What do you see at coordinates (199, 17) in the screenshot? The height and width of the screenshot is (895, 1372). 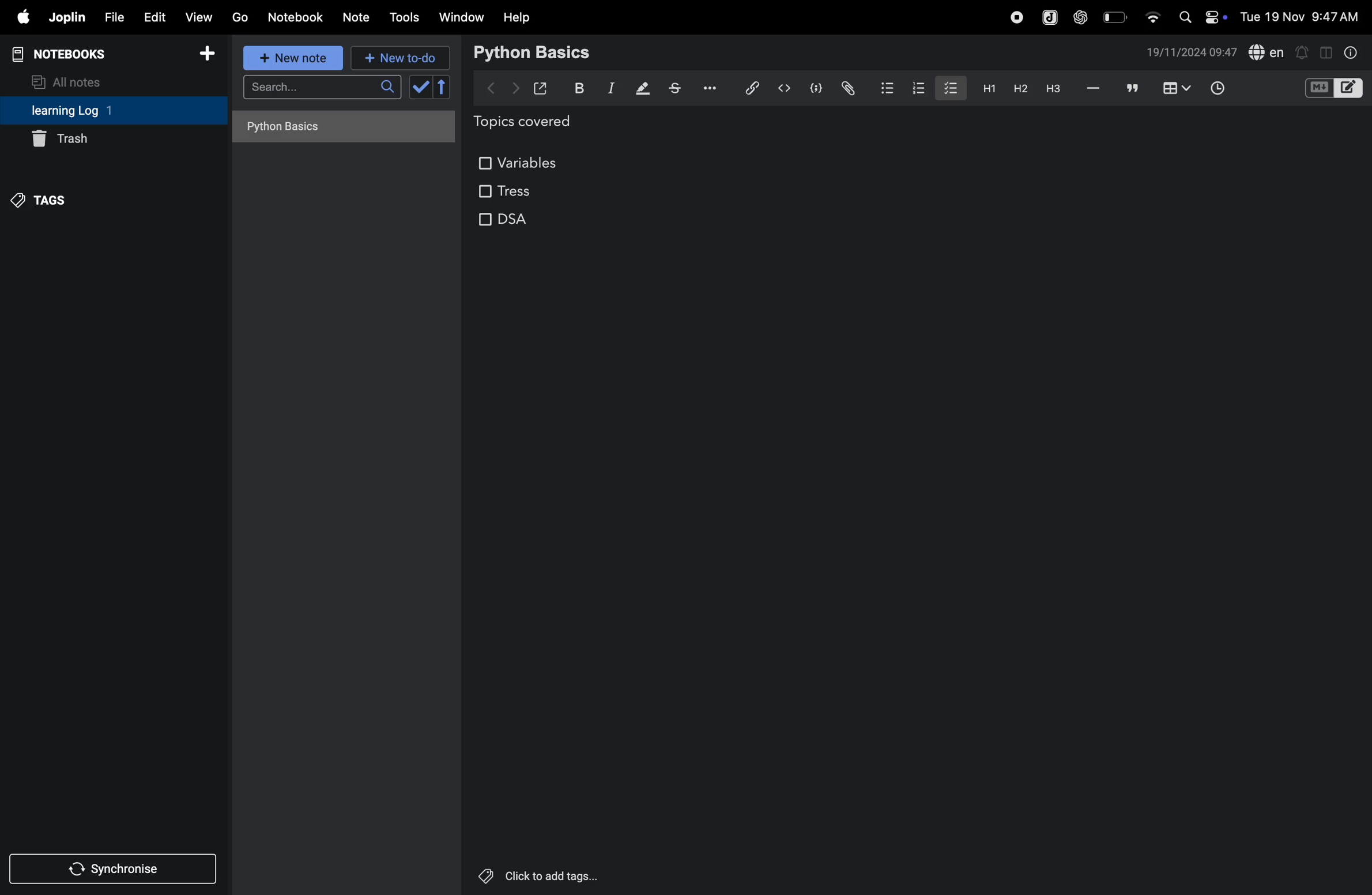 I see `view` at bounding box center [199, 17].